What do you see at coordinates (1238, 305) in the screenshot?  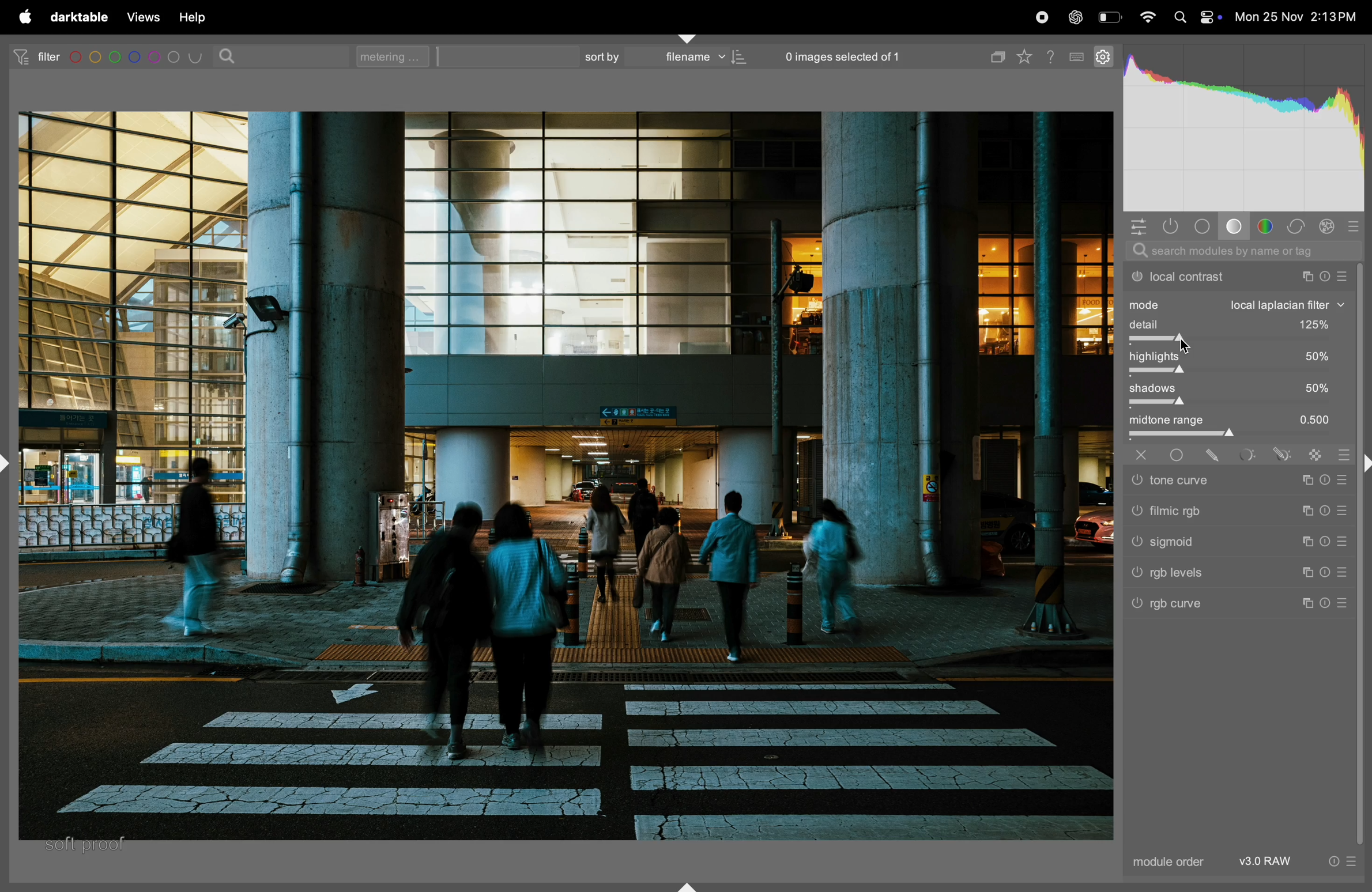 I see `mode` at bounding box center [1238, 305].